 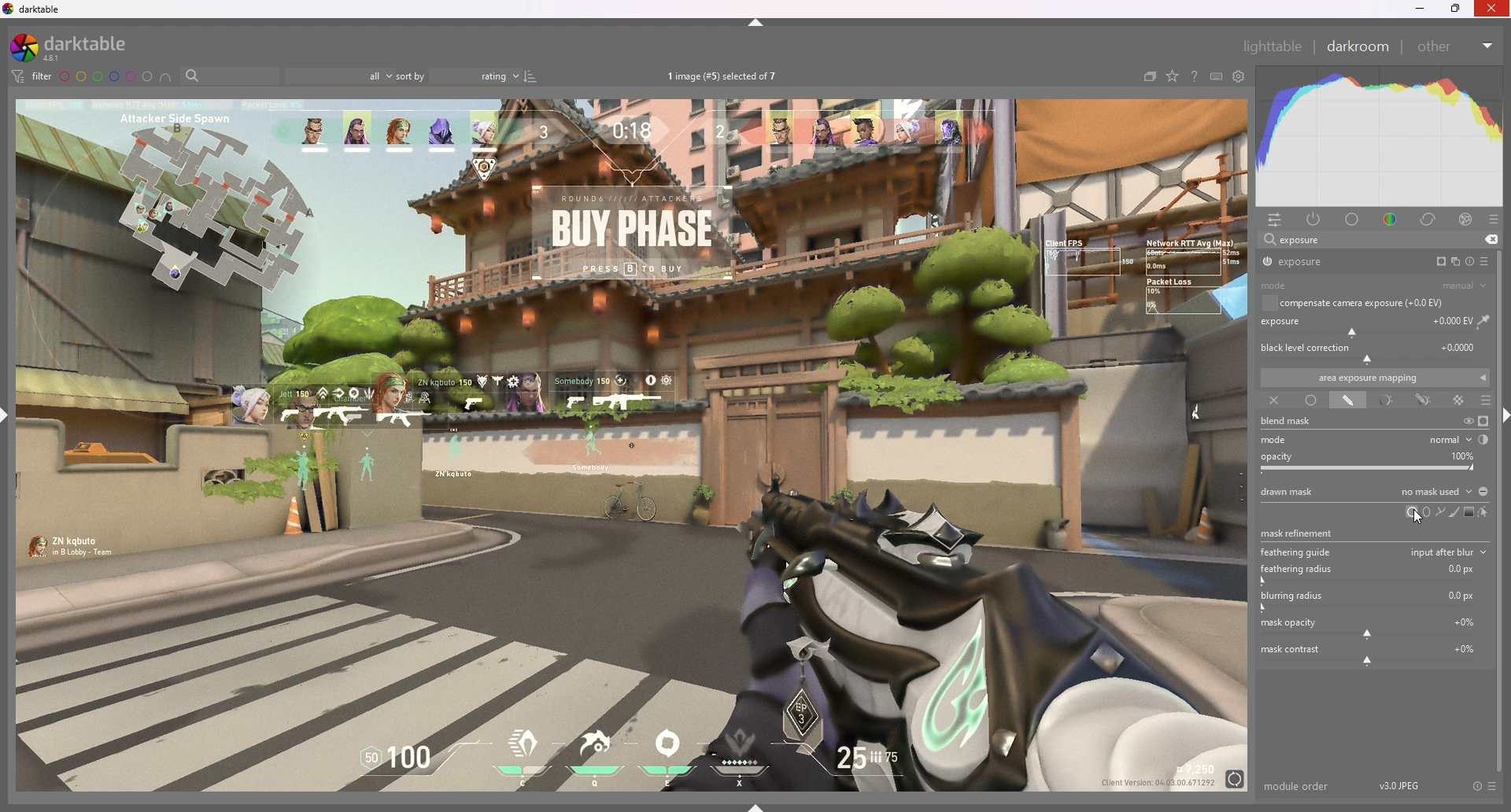 What do you see at coordinates (1192, 76) in the screenshot?
I see `help` at bounding box center [1192, 76].